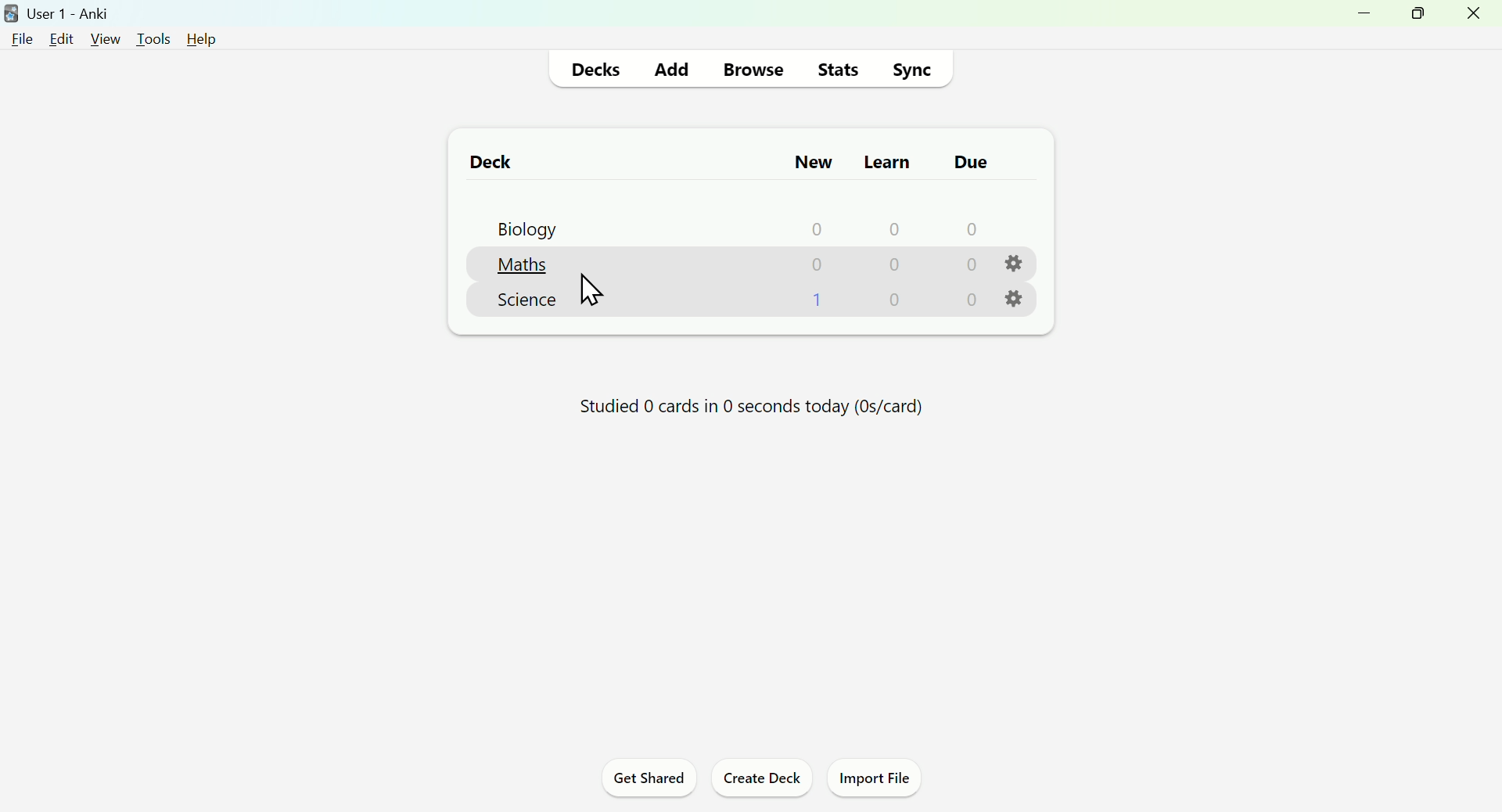 Image resolution: width=1502 pixels, height=812 pixels. I want to click on user1-anki, so click(58, 13).